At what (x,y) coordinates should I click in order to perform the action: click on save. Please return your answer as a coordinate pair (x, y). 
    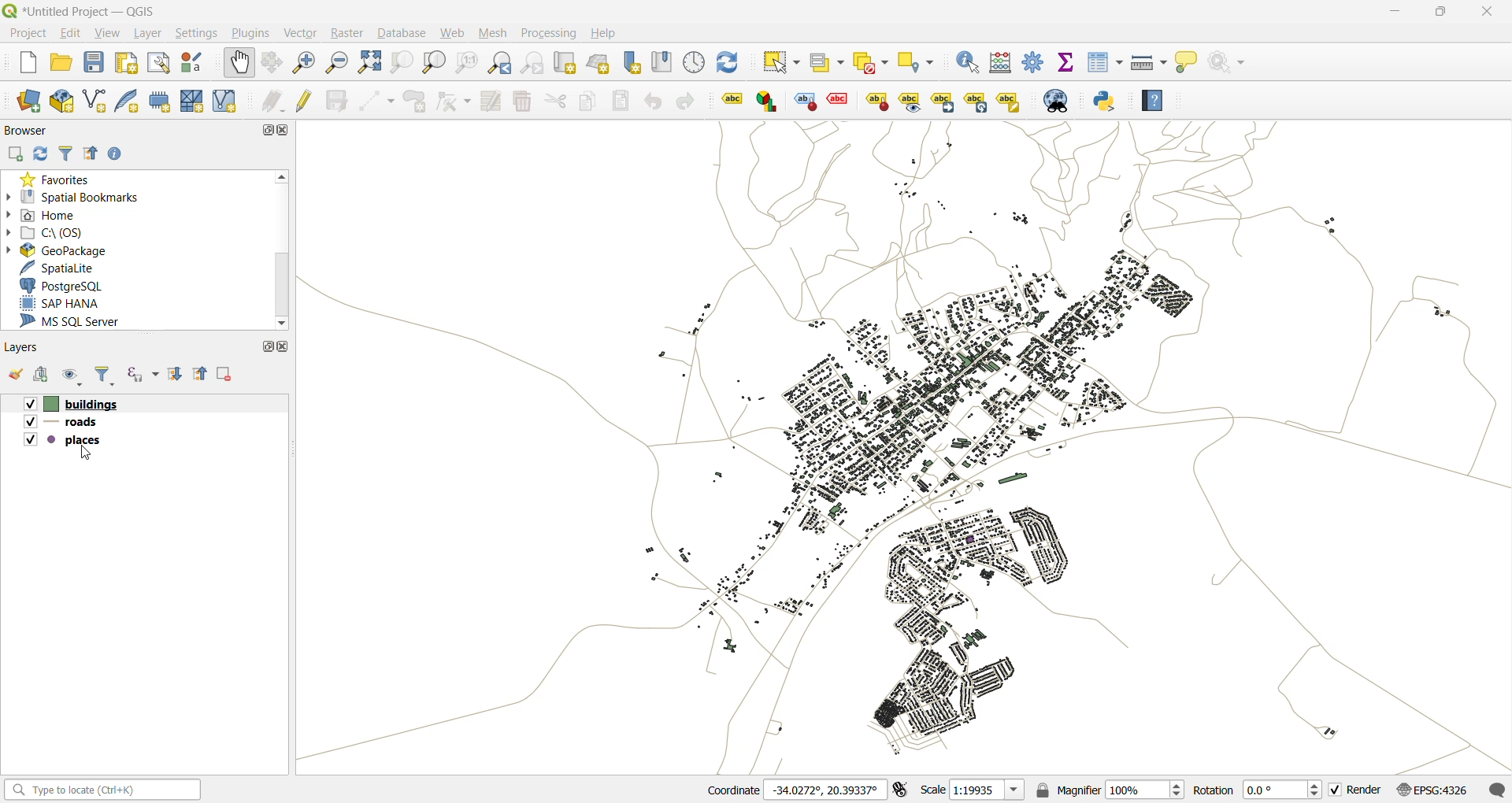
    Looking at the image, I should click on (94, 65).